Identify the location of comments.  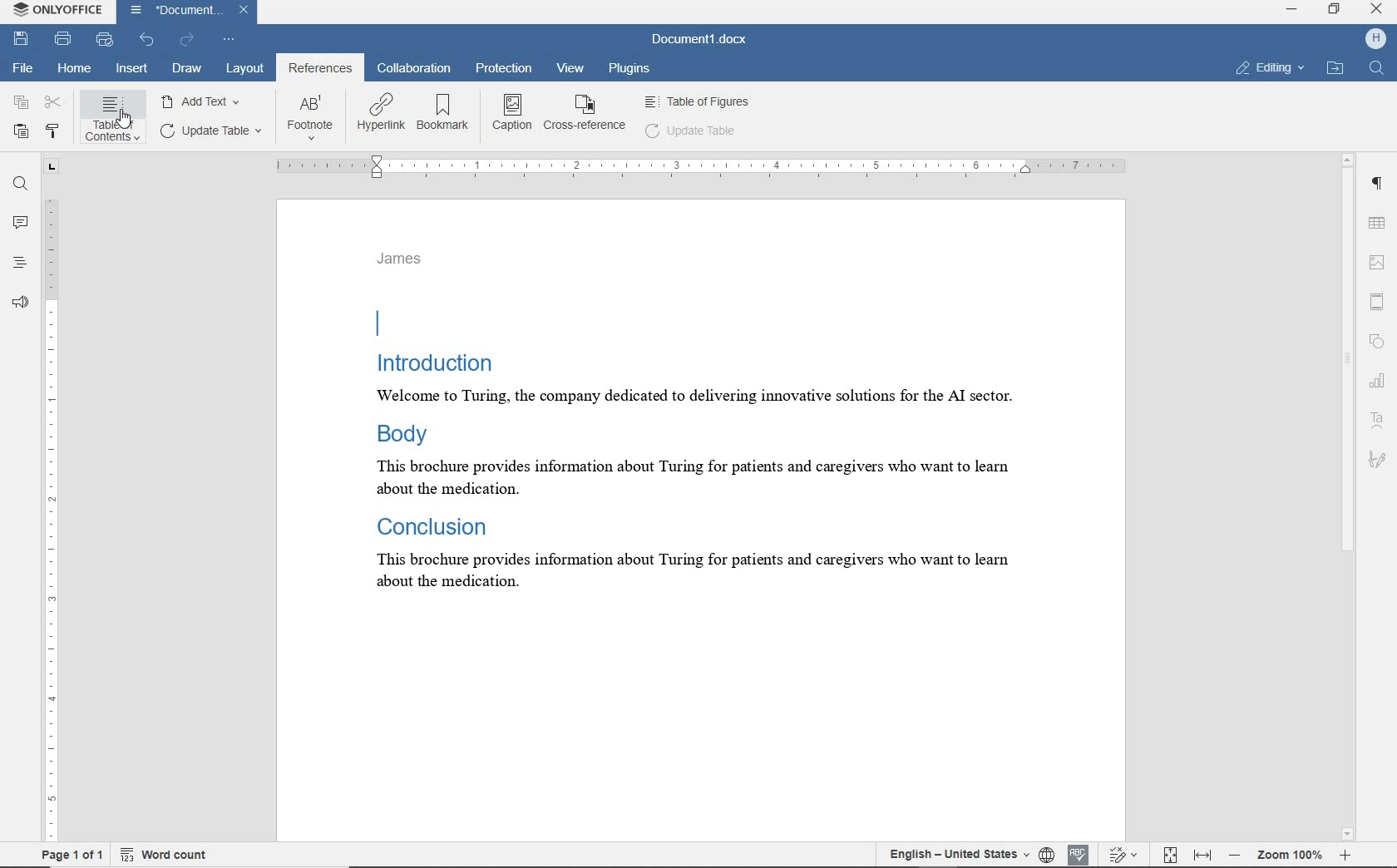
(19, 222).